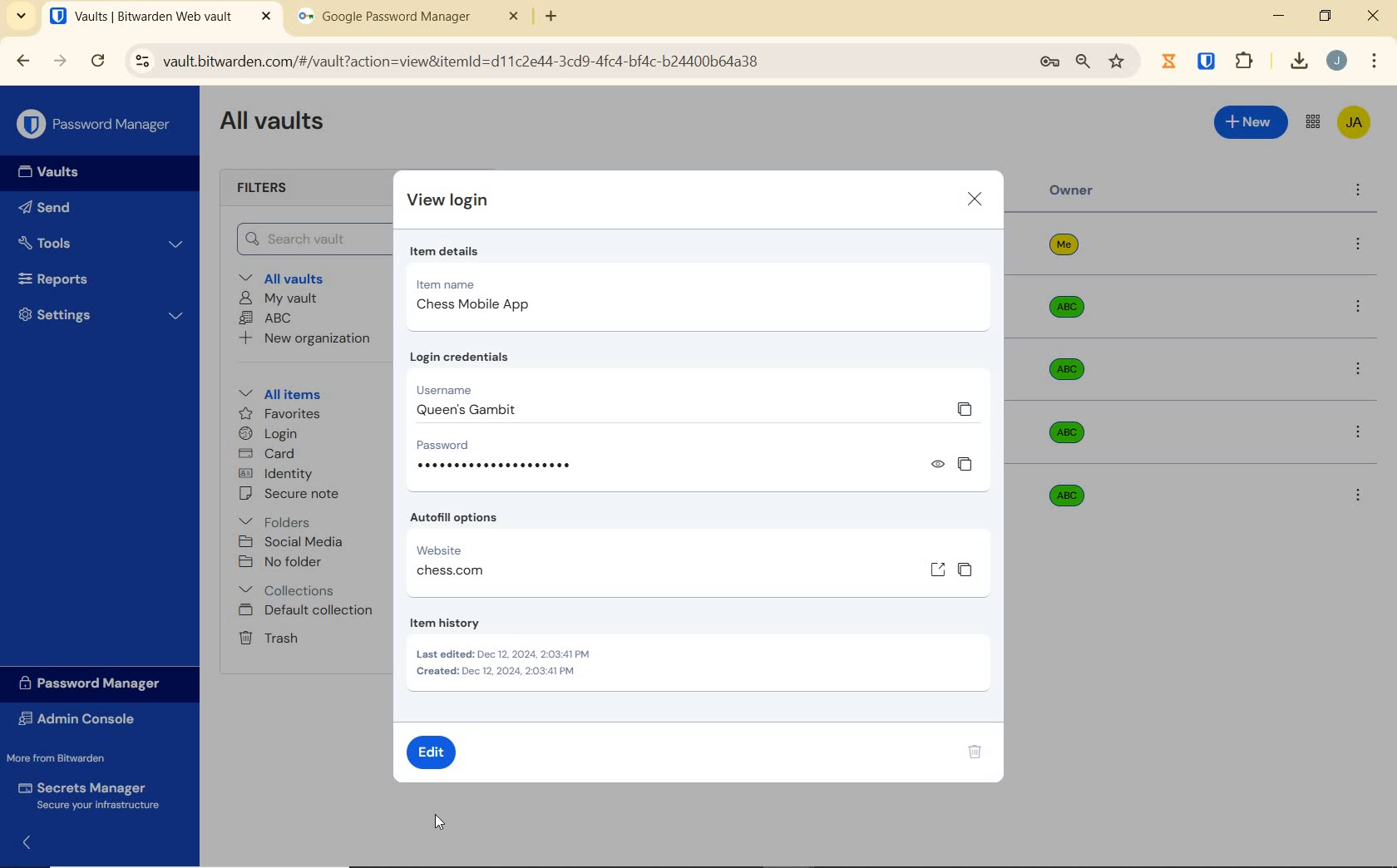 This screenshot has height=868, width=1397. I want to click on ABC, so click(265, 318).